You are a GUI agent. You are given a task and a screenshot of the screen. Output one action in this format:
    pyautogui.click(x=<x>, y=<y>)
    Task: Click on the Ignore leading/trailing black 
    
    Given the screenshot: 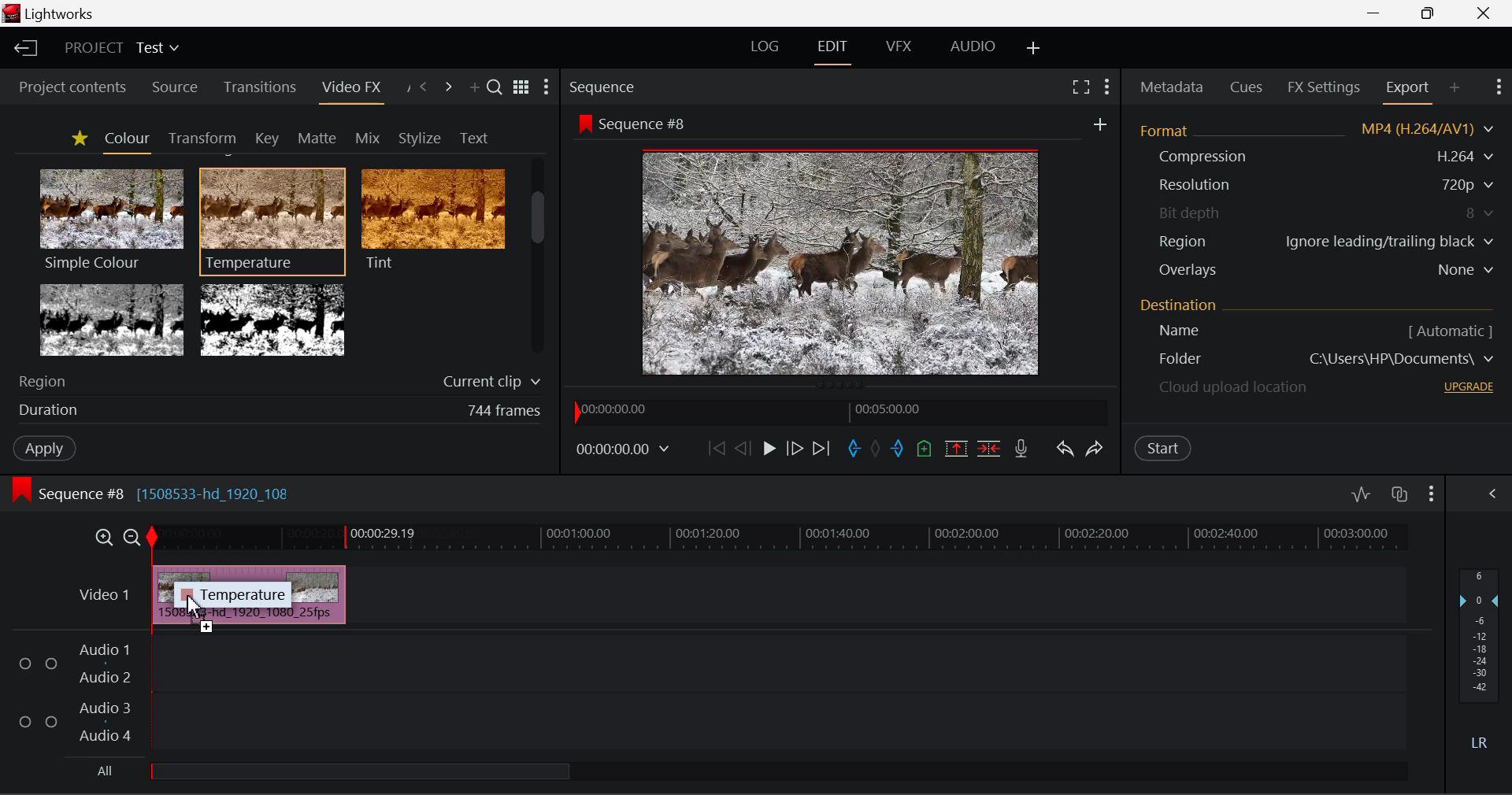 What is the action you would take?
    pyautogui.click(x=1388, y=242)
    